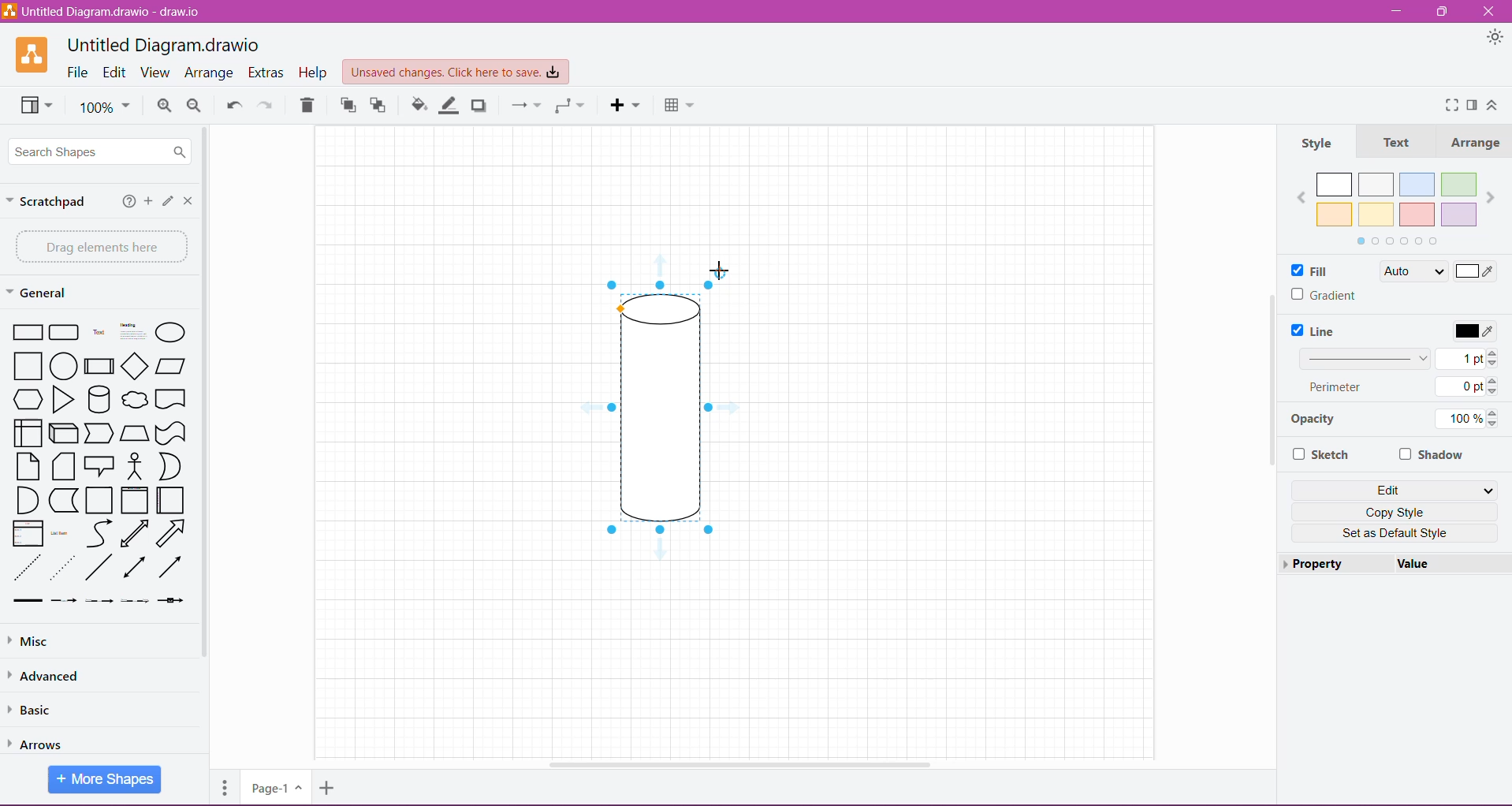 This screenshot has width=1512, height=806. Describe the element at coordinates (34, 107) in the screenshot. I see `View` at that location.